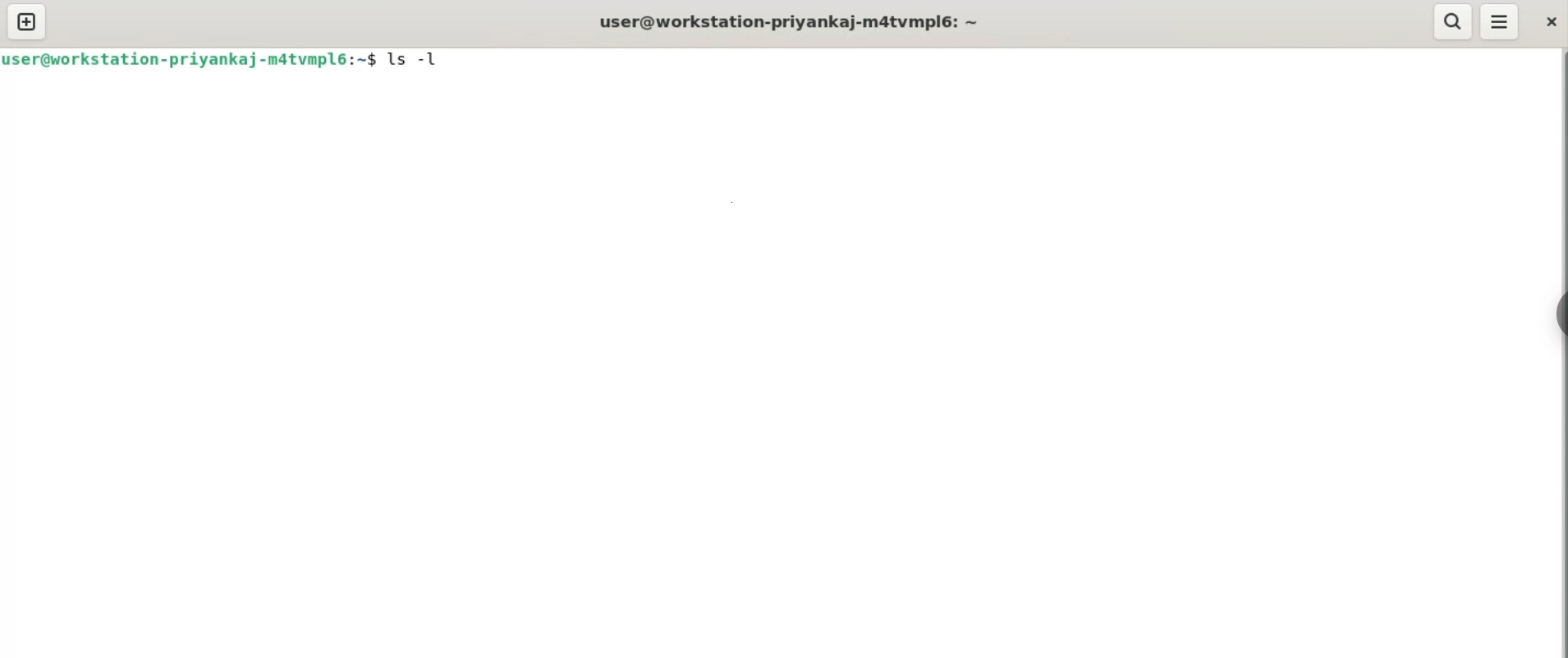  I want to click on sidebar, so click(1558, 313).